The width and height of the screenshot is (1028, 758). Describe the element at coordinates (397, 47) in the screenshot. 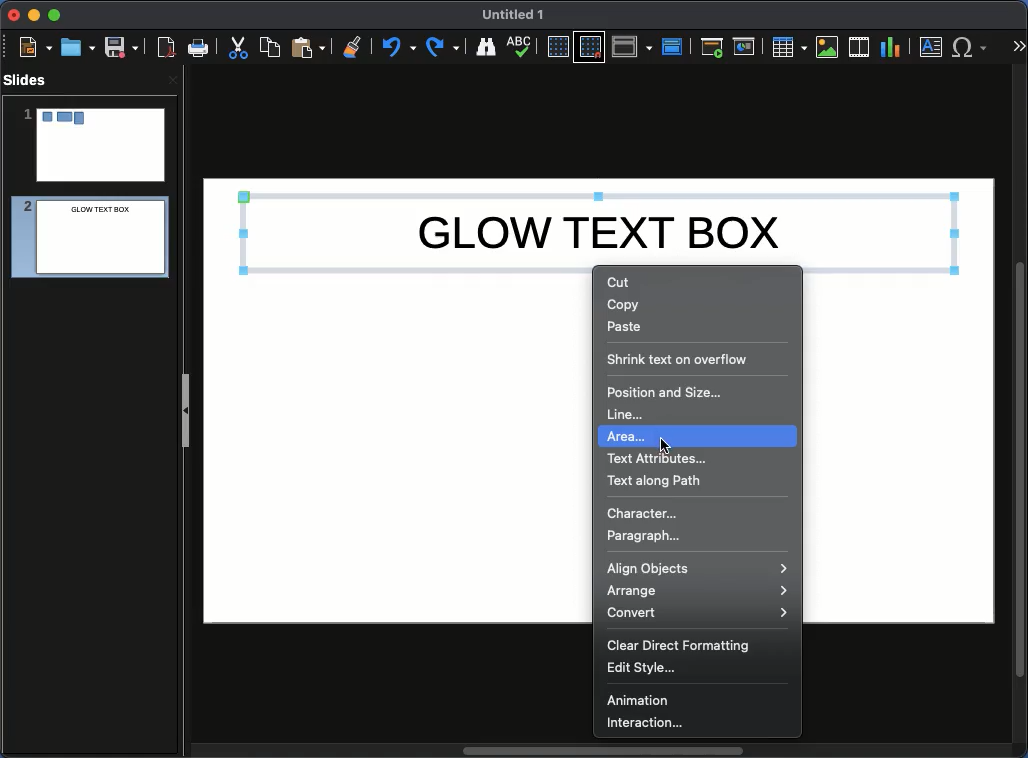

I see `Undo` at that location.